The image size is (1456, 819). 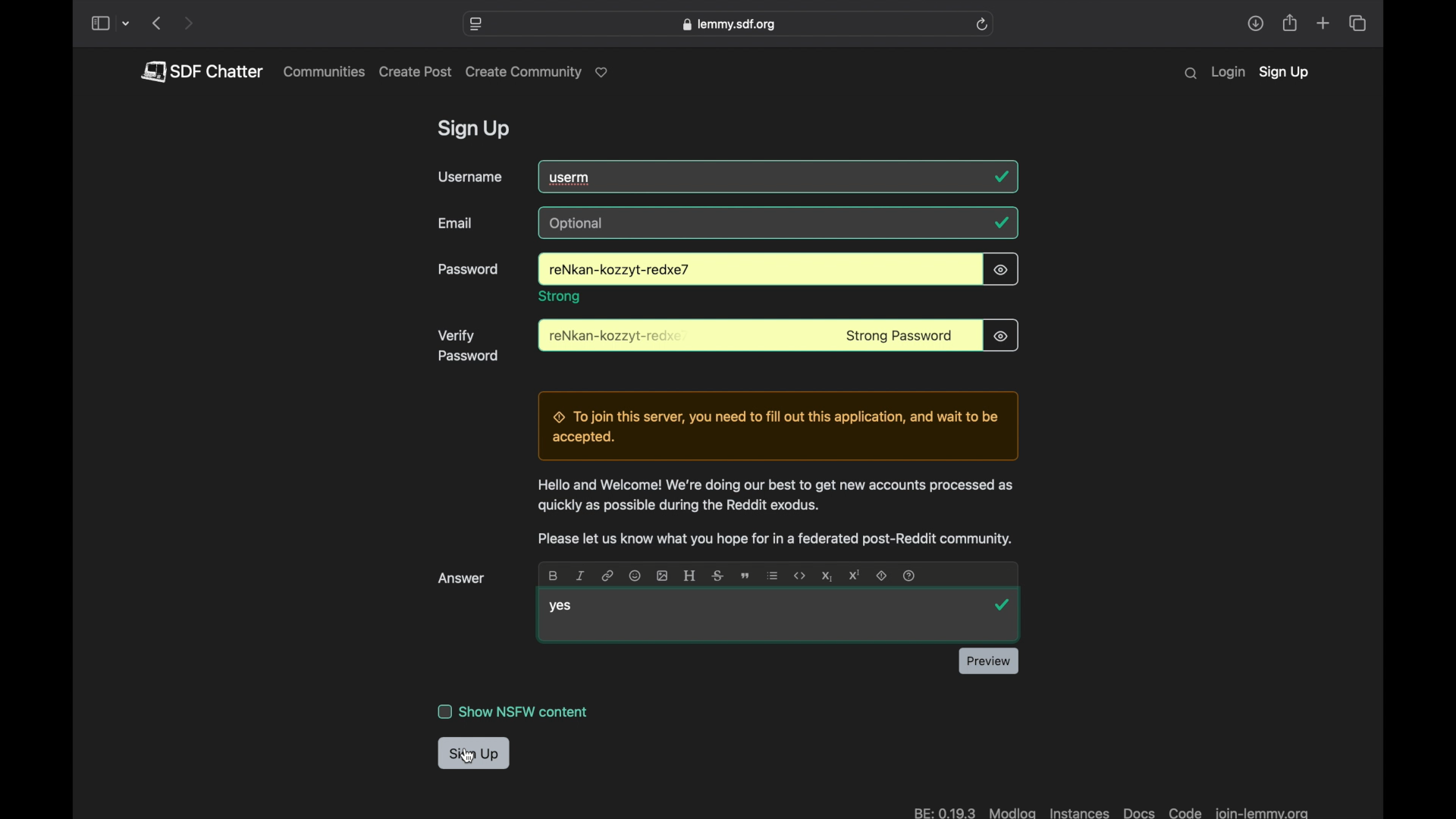 I want to click on password, so click(x=617, y=337).